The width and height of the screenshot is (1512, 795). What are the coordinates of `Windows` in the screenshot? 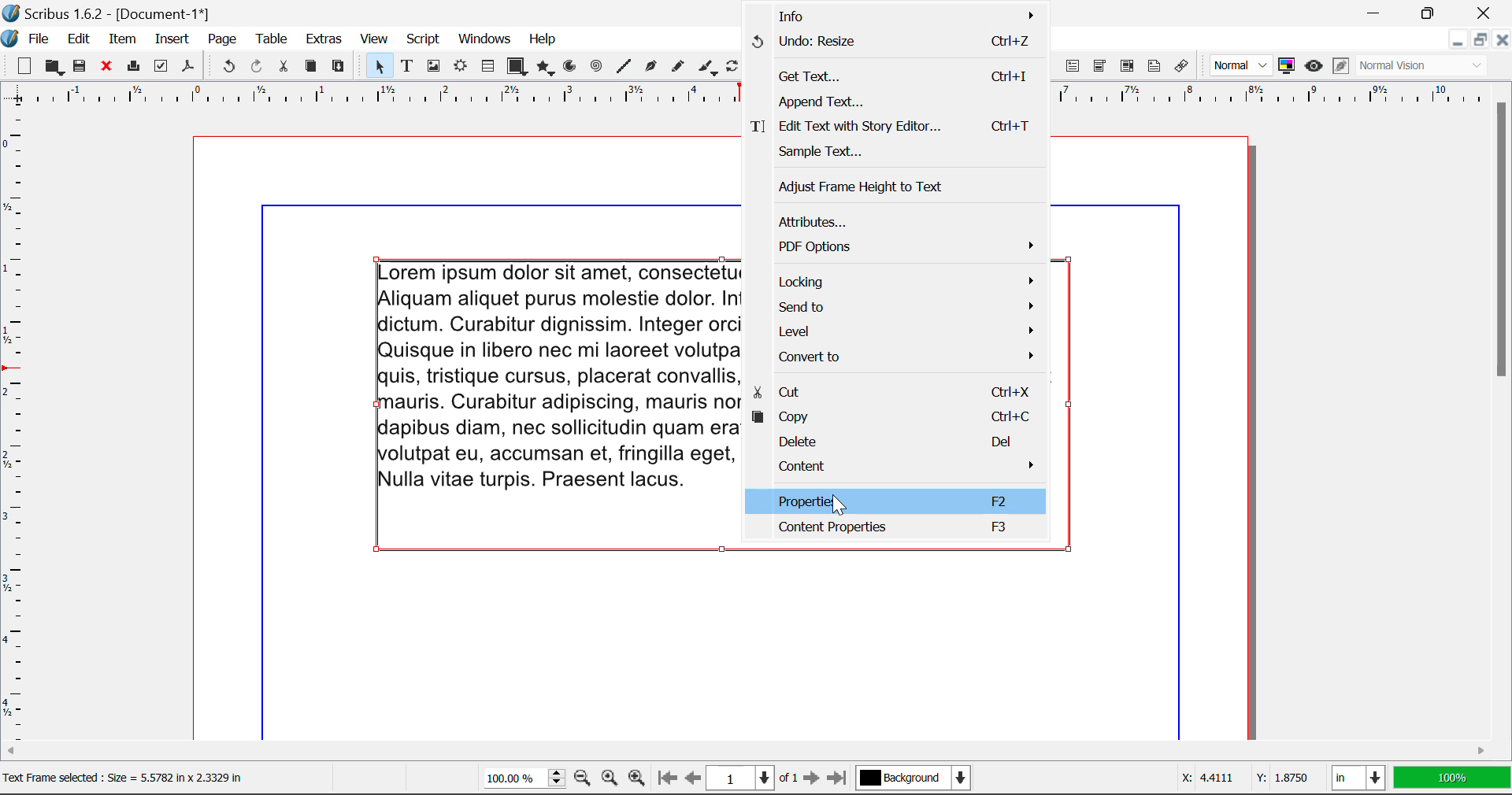 It's located at (483, 39).